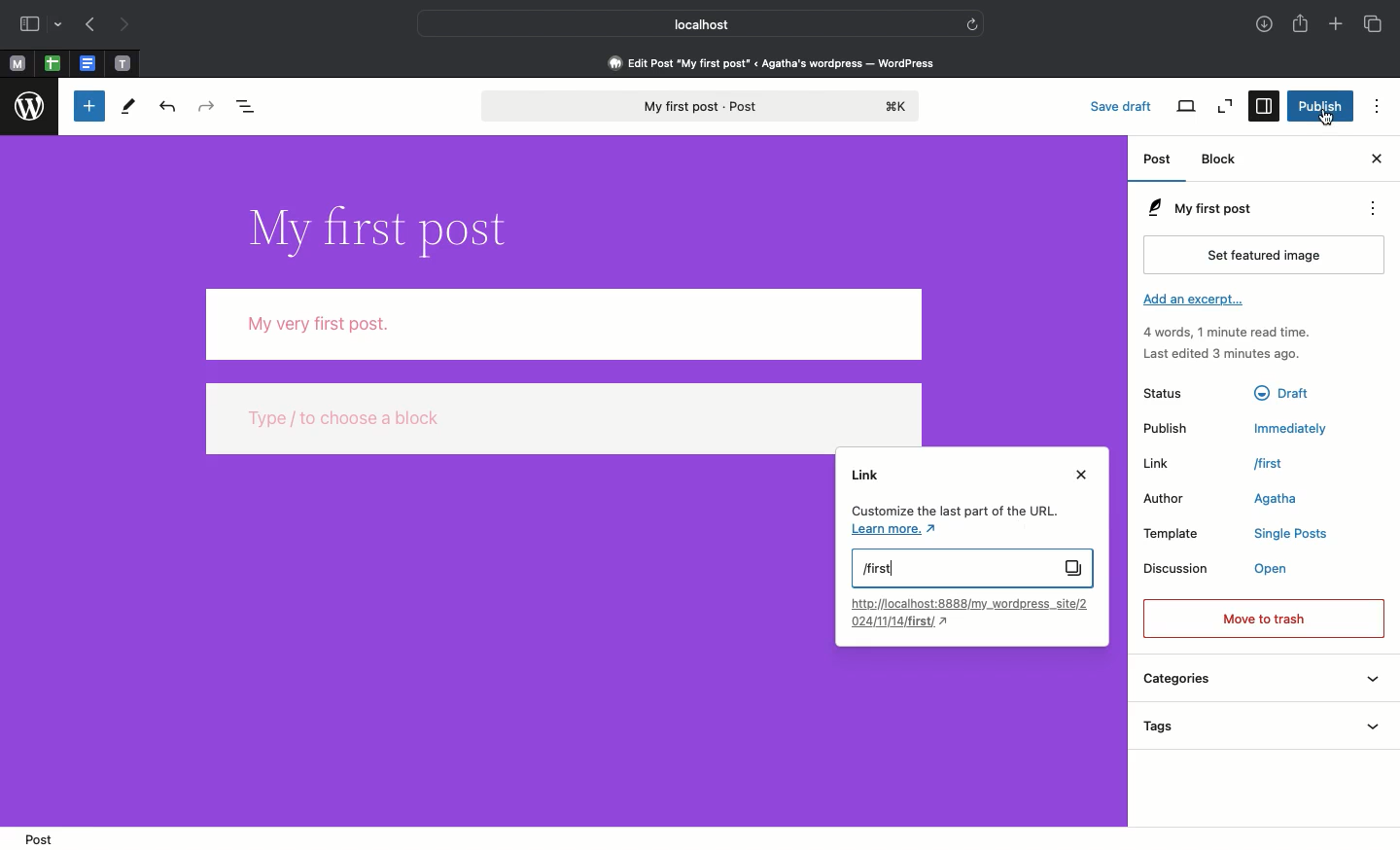 This screenshot has width=1400, height=850. Describe the element at coordinates (1226, 160) in the screenshot. I see `Block` at that location.